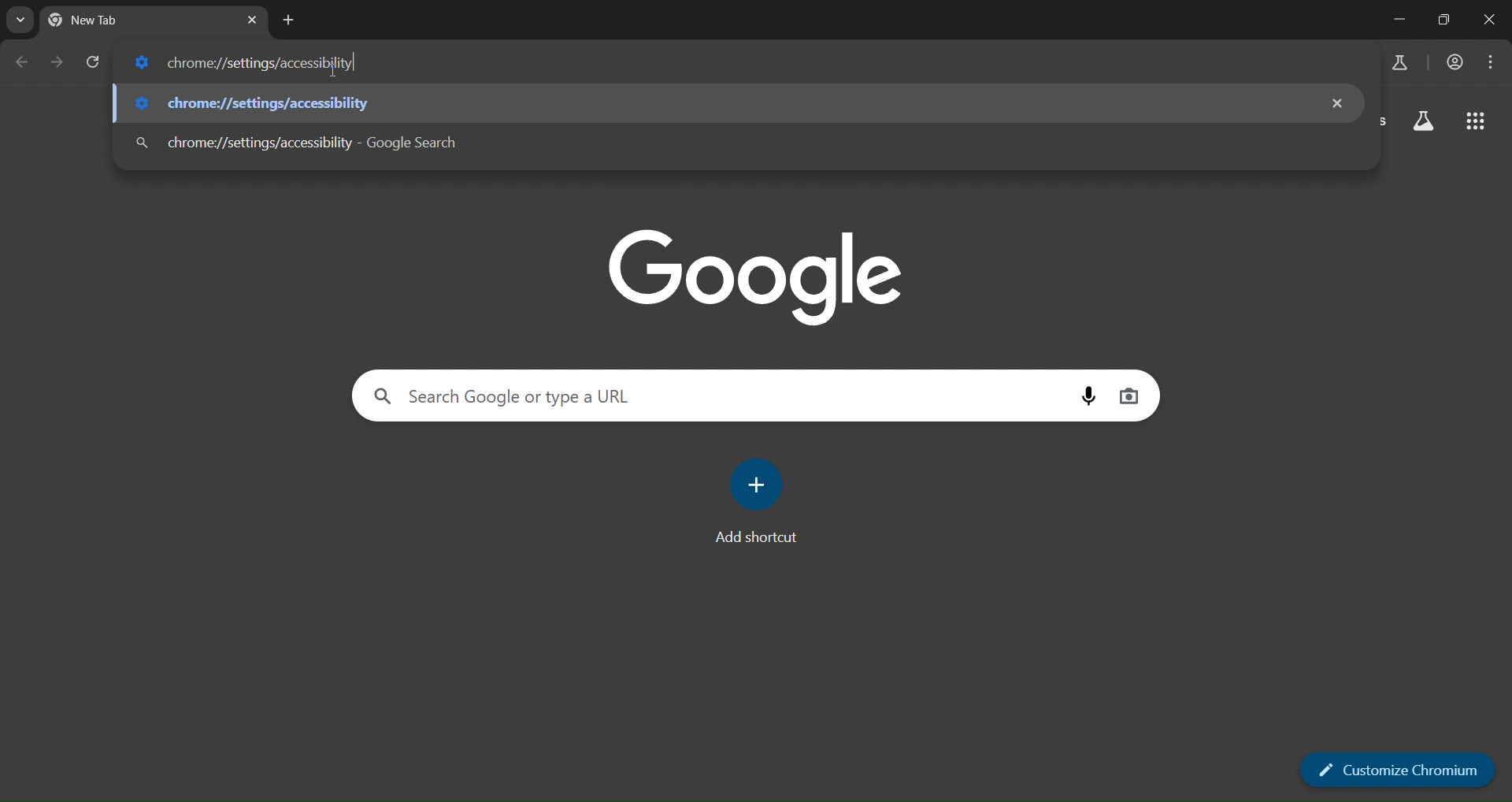 Image resolution: width=1512 pixels, height=802 pixels. Describe the element at coordinates (1399, 17) in the screenshot. I see `minimize` at that location.